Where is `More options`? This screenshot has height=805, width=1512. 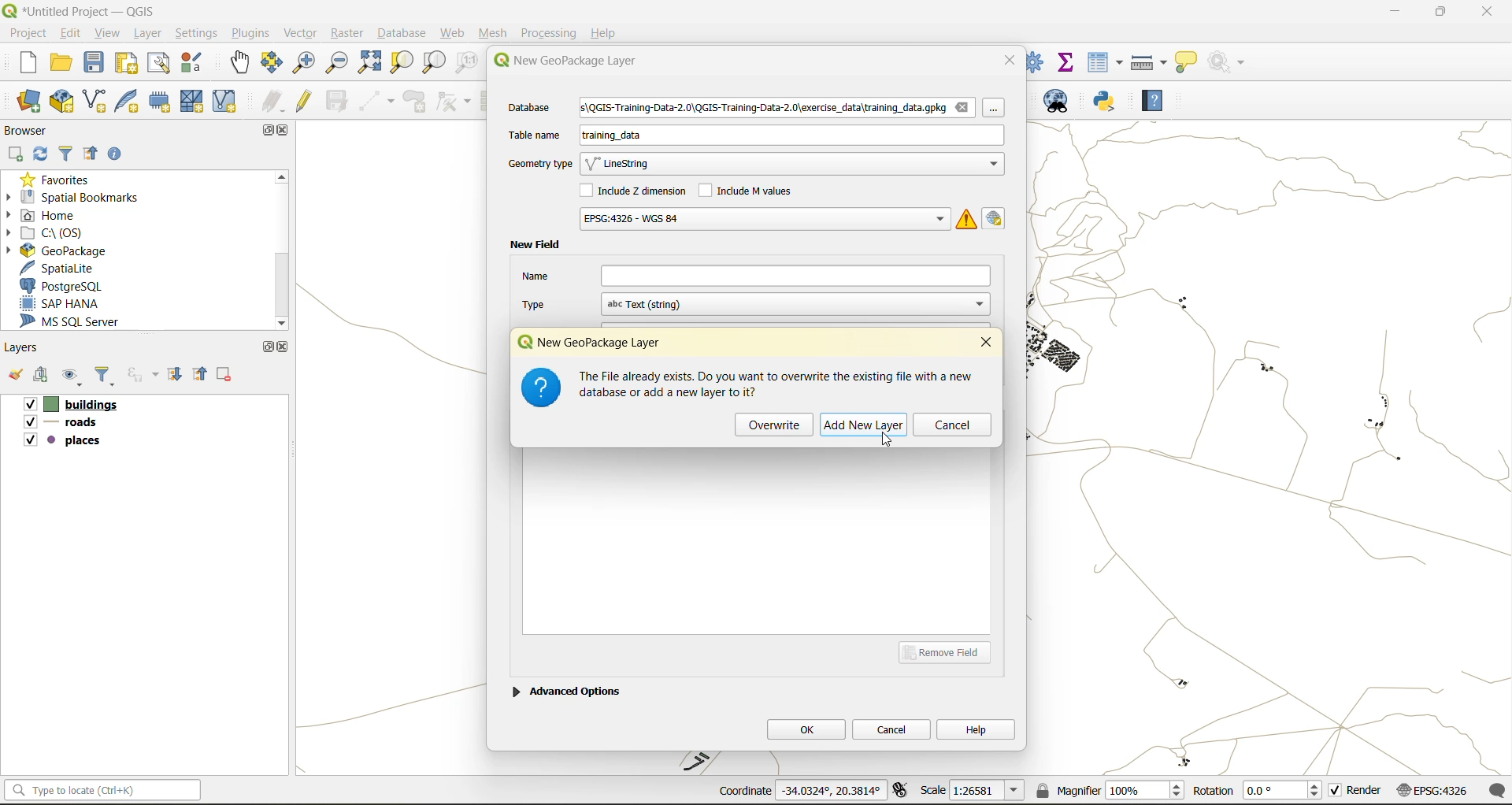 More options is located at coordinates (999, 112).